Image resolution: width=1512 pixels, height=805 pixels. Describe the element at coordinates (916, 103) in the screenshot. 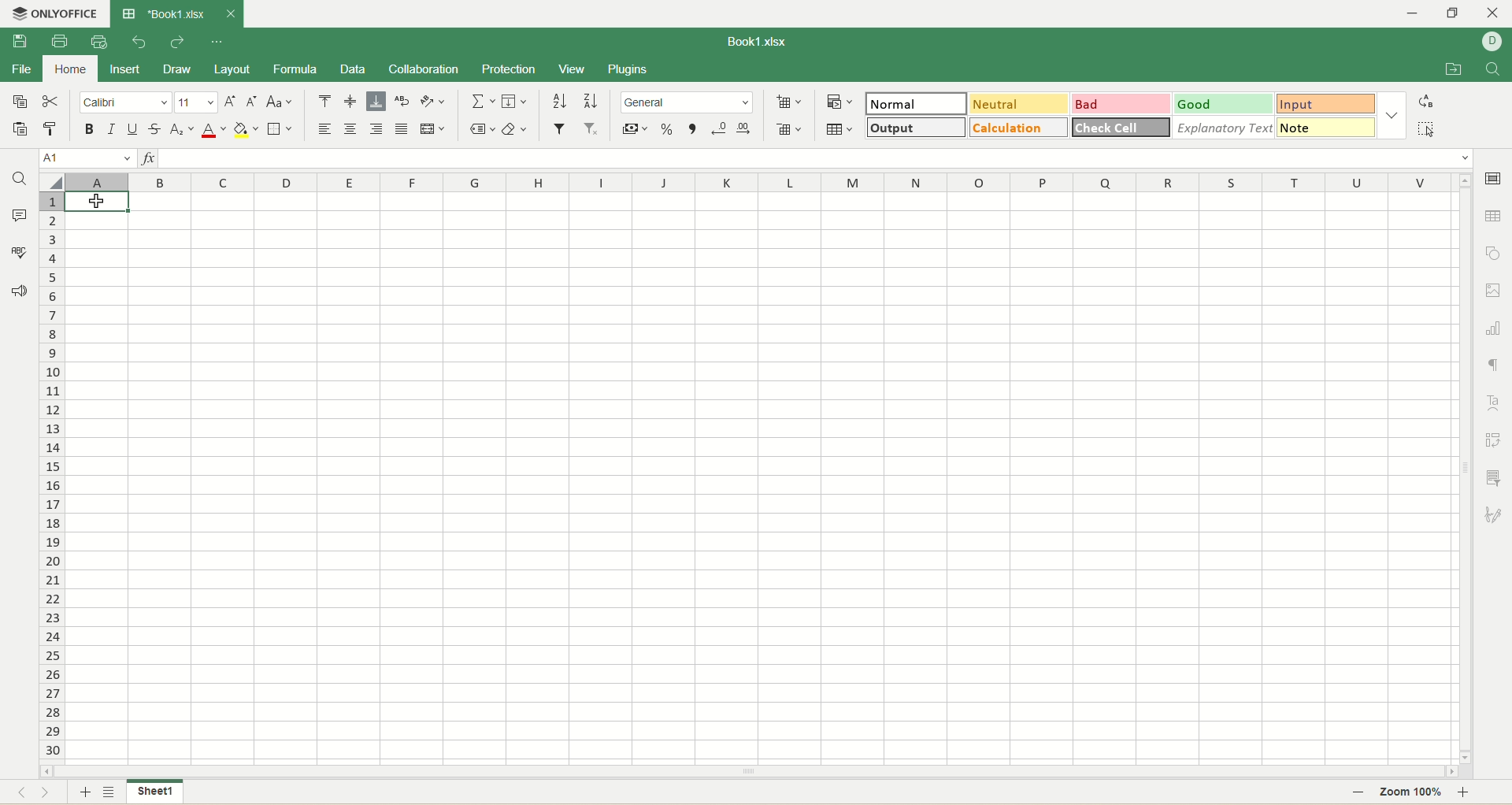

I see `normal` at that location.